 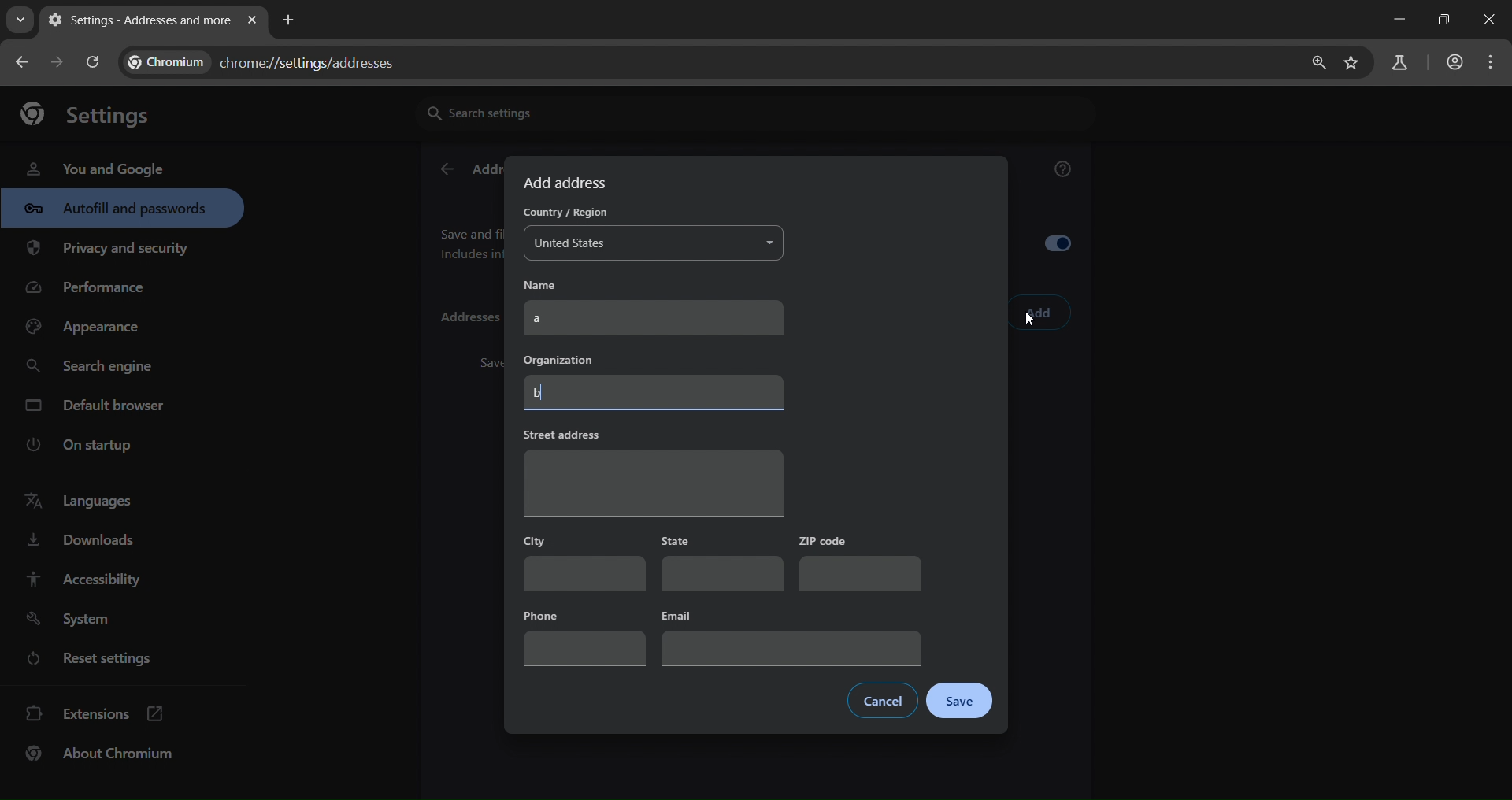 What do you see at coordinates (91, 61) in the screenshot?
I see `reload` at bounding box center [91, 61].